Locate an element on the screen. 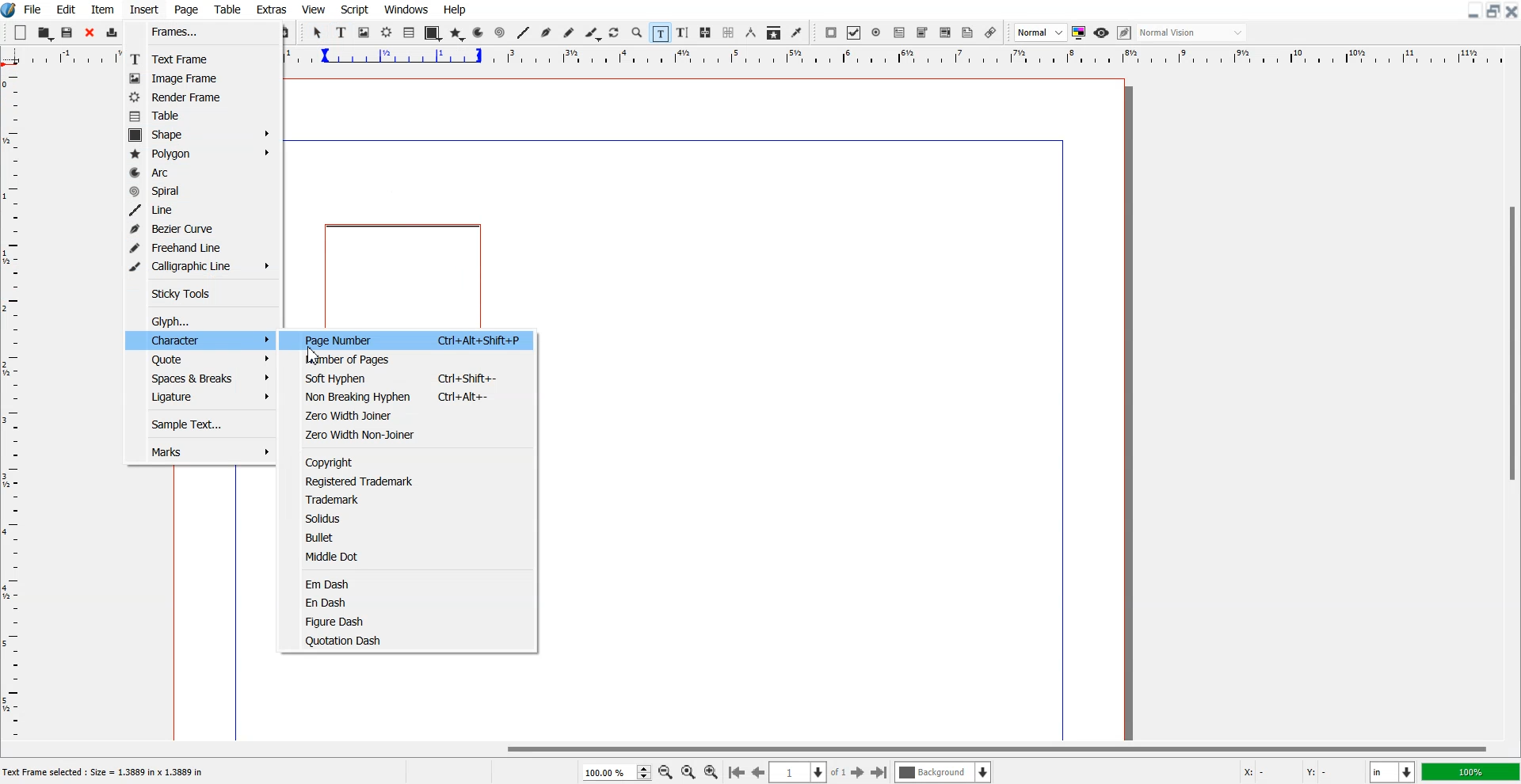 Image resolution: width=1521 pixels, height=784 pixels. Go to next Page is located at coordinates (858, 773).